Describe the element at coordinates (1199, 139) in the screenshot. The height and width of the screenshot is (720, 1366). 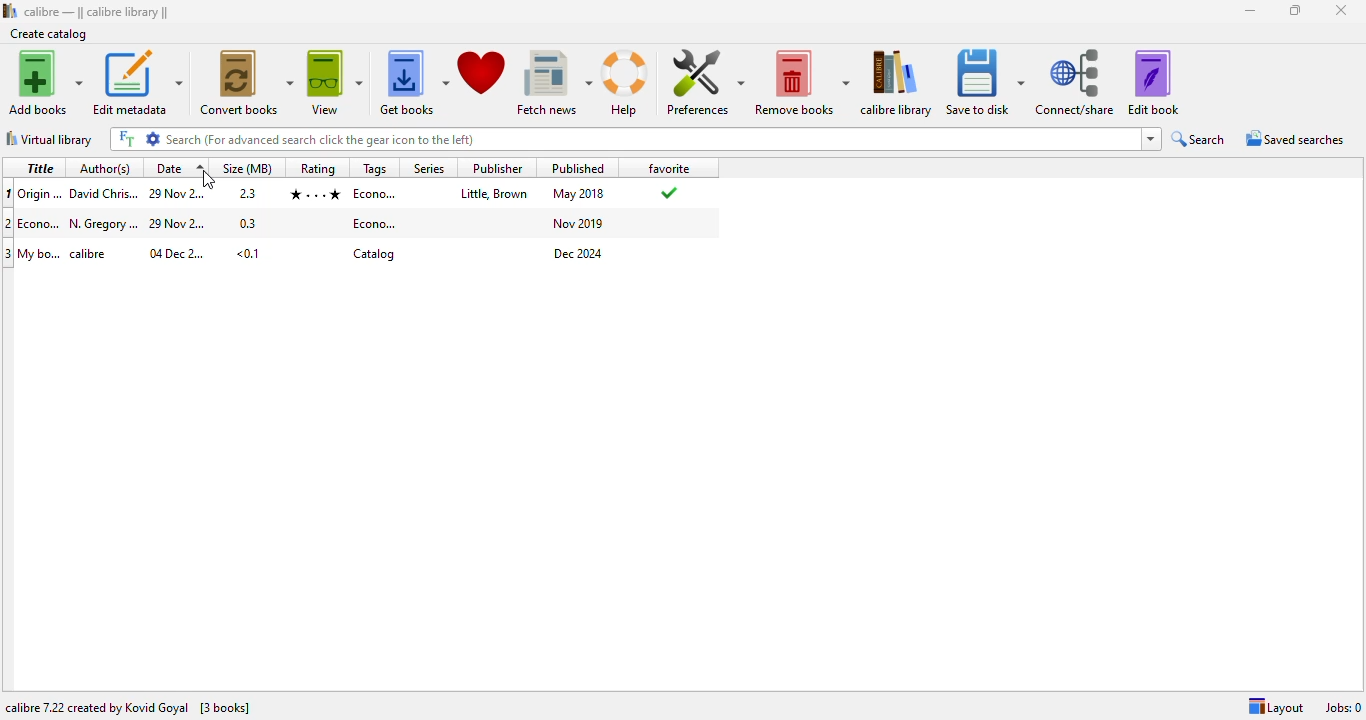
I see `search` at that location.